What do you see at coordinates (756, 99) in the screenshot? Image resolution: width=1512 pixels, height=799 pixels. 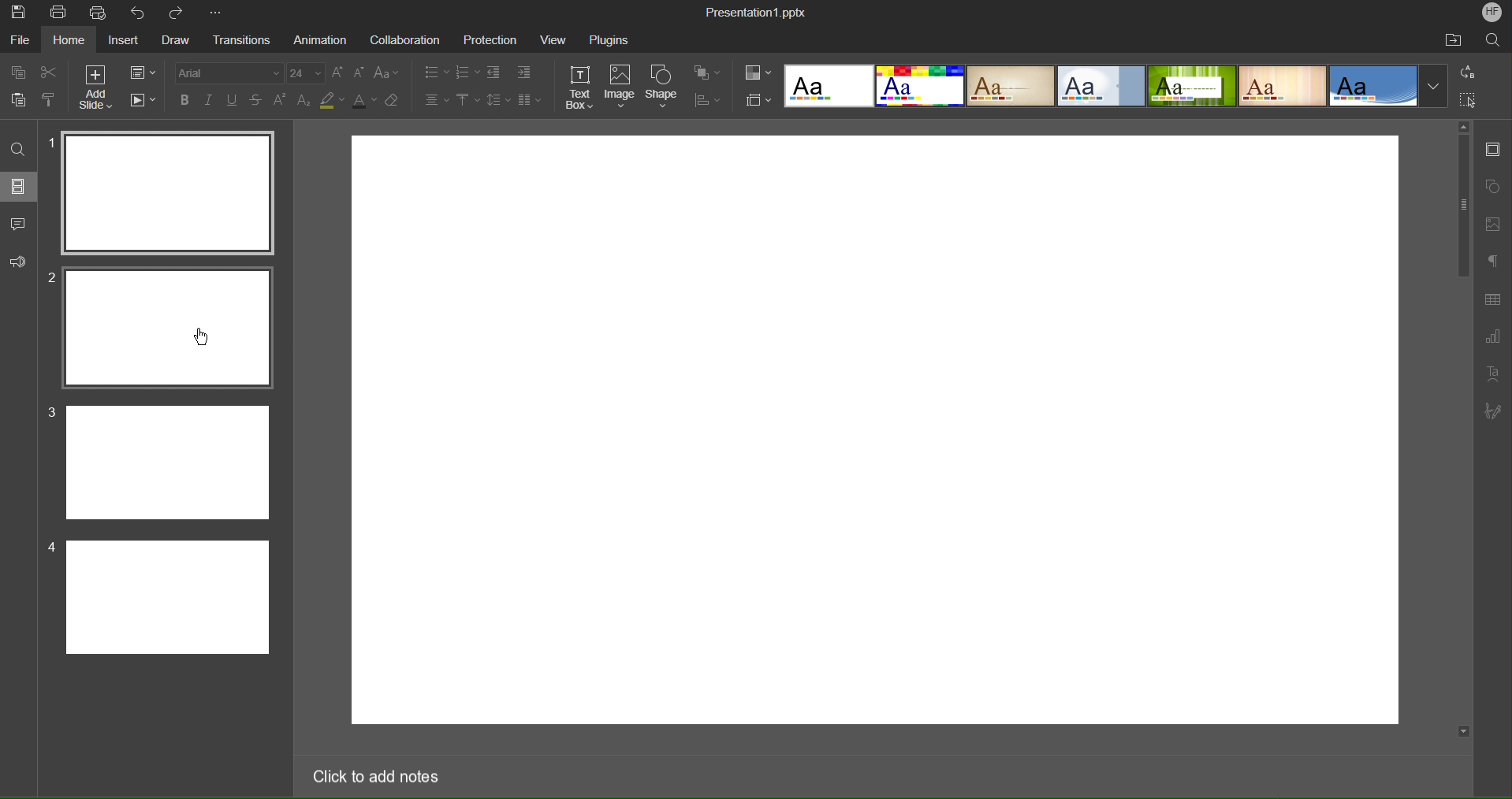 I see `Slide Settings` at bounding box center [756, 99].